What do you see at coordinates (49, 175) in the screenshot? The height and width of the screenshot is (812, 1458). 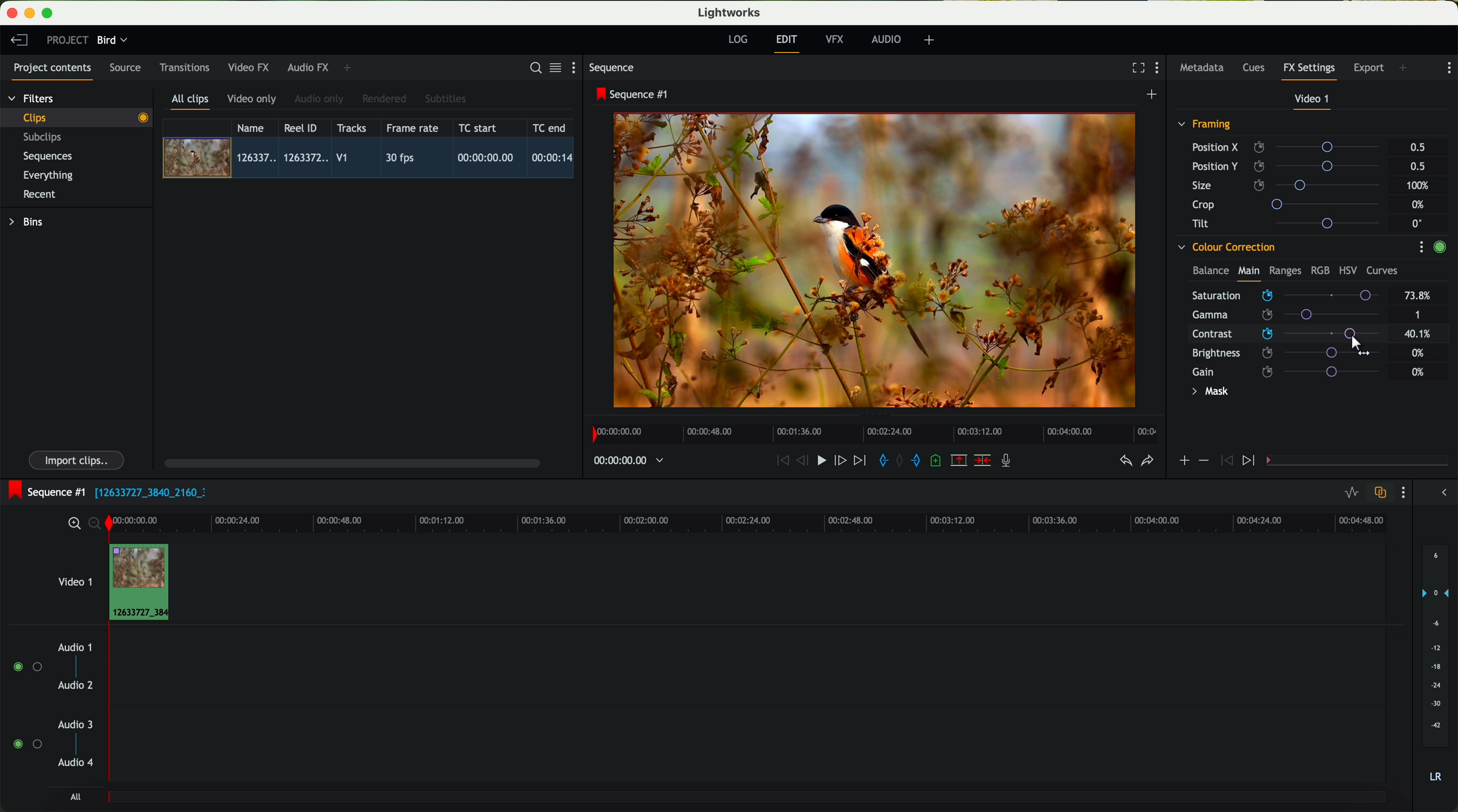 I see `everything` at bounding box center [49, 175].